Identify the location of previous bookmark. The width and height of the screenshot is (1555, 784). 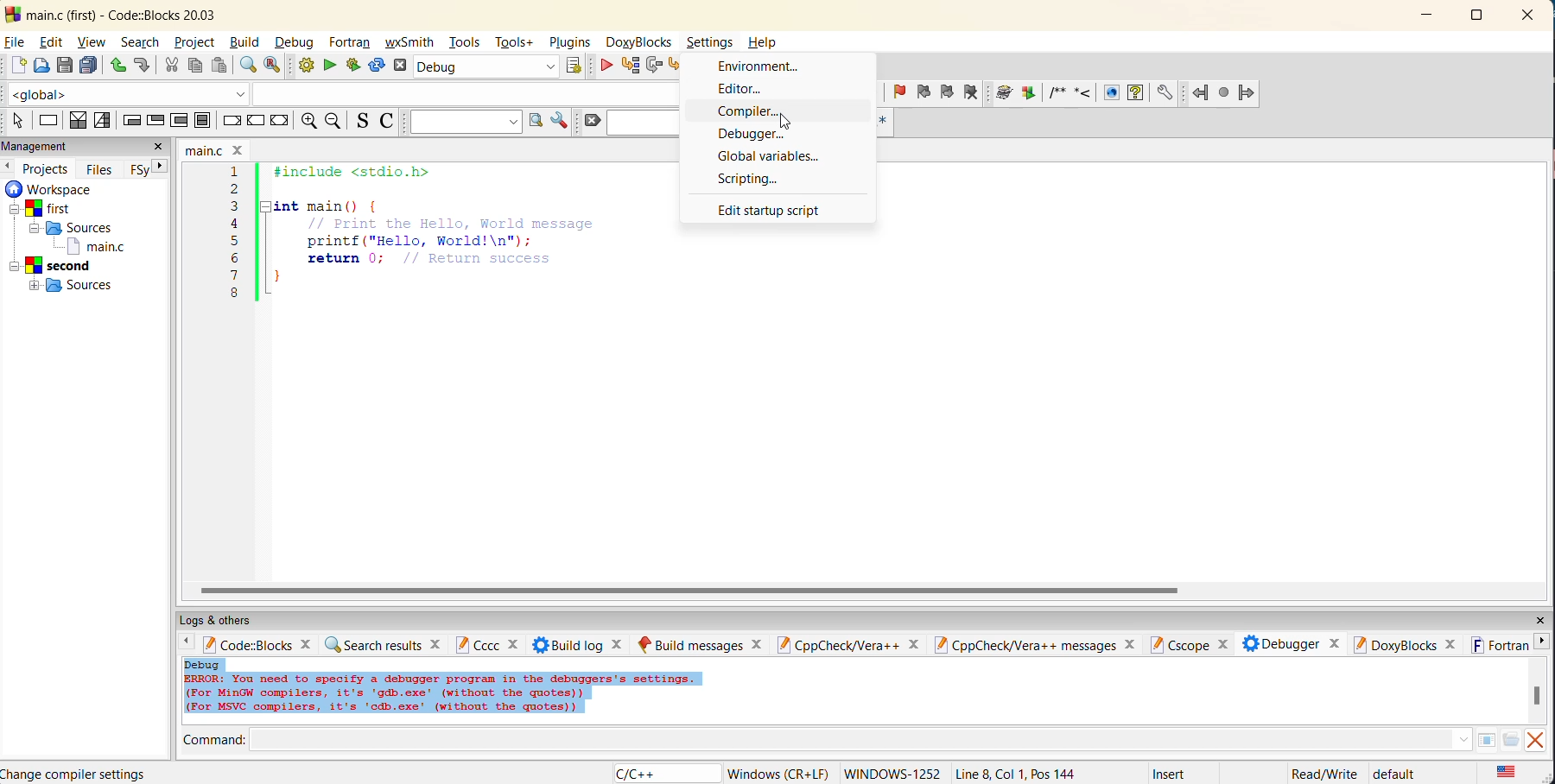
(923, 90).